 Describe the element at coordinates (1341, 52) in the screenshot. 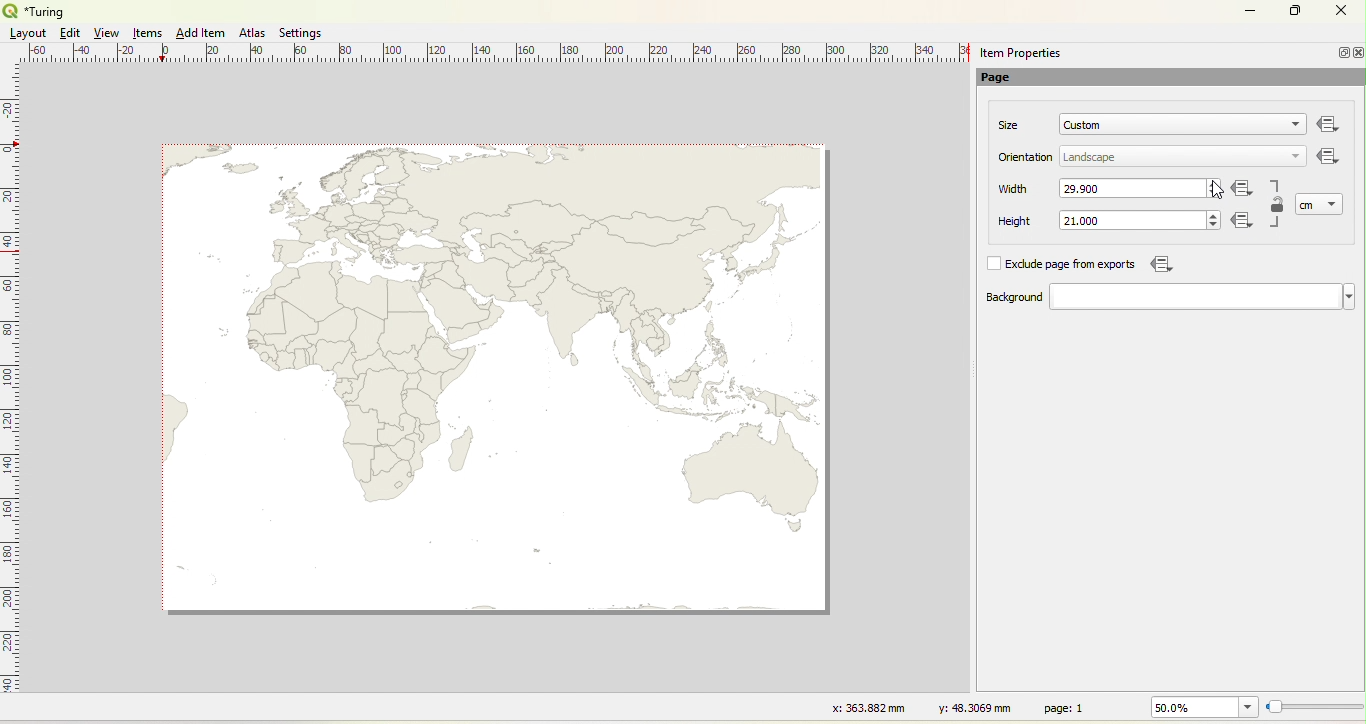

I see `Minimize` at that location.